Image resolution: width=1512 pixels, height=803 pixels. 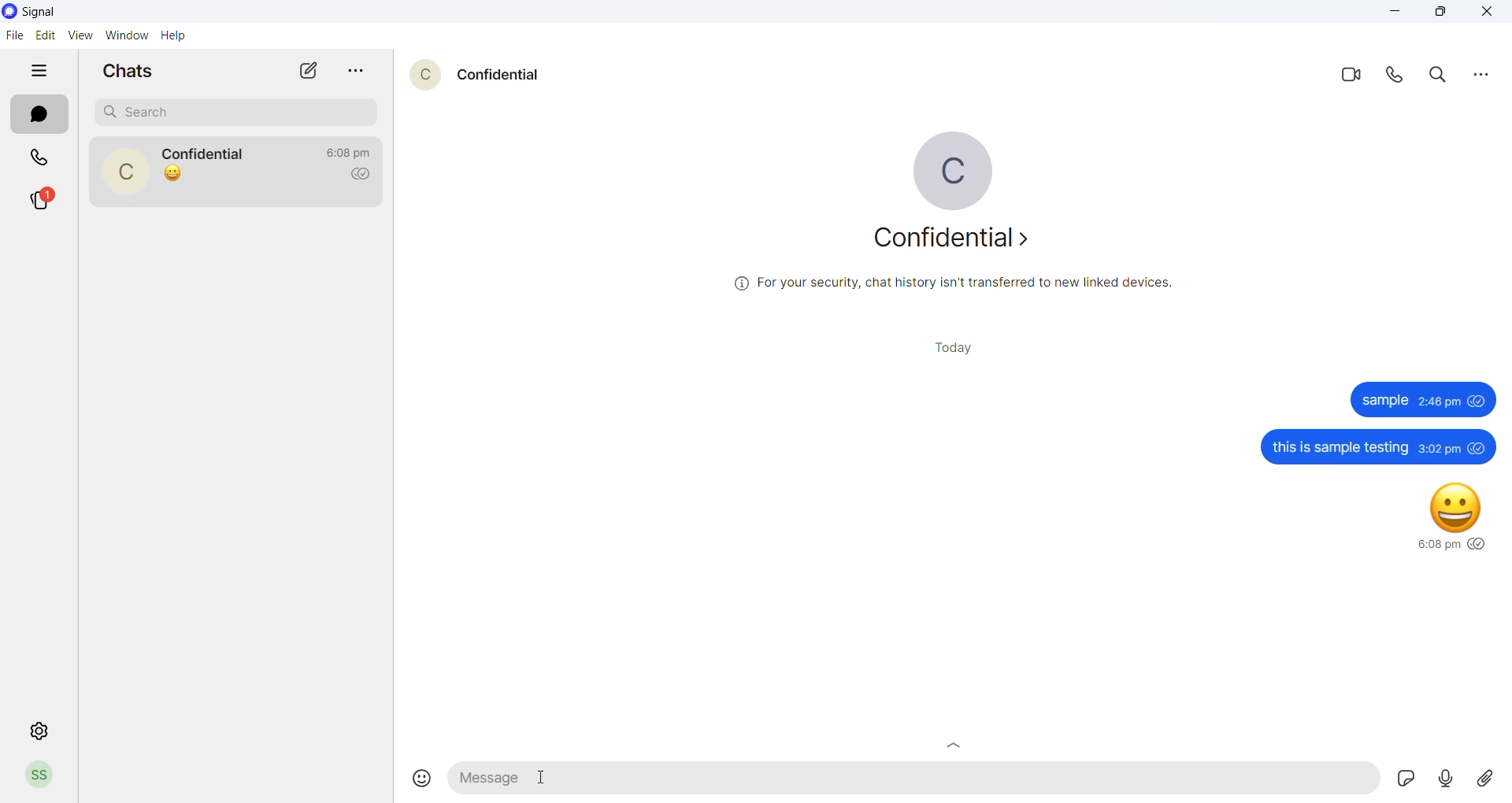 I want to click on search chat, so click(x=240, y=111).